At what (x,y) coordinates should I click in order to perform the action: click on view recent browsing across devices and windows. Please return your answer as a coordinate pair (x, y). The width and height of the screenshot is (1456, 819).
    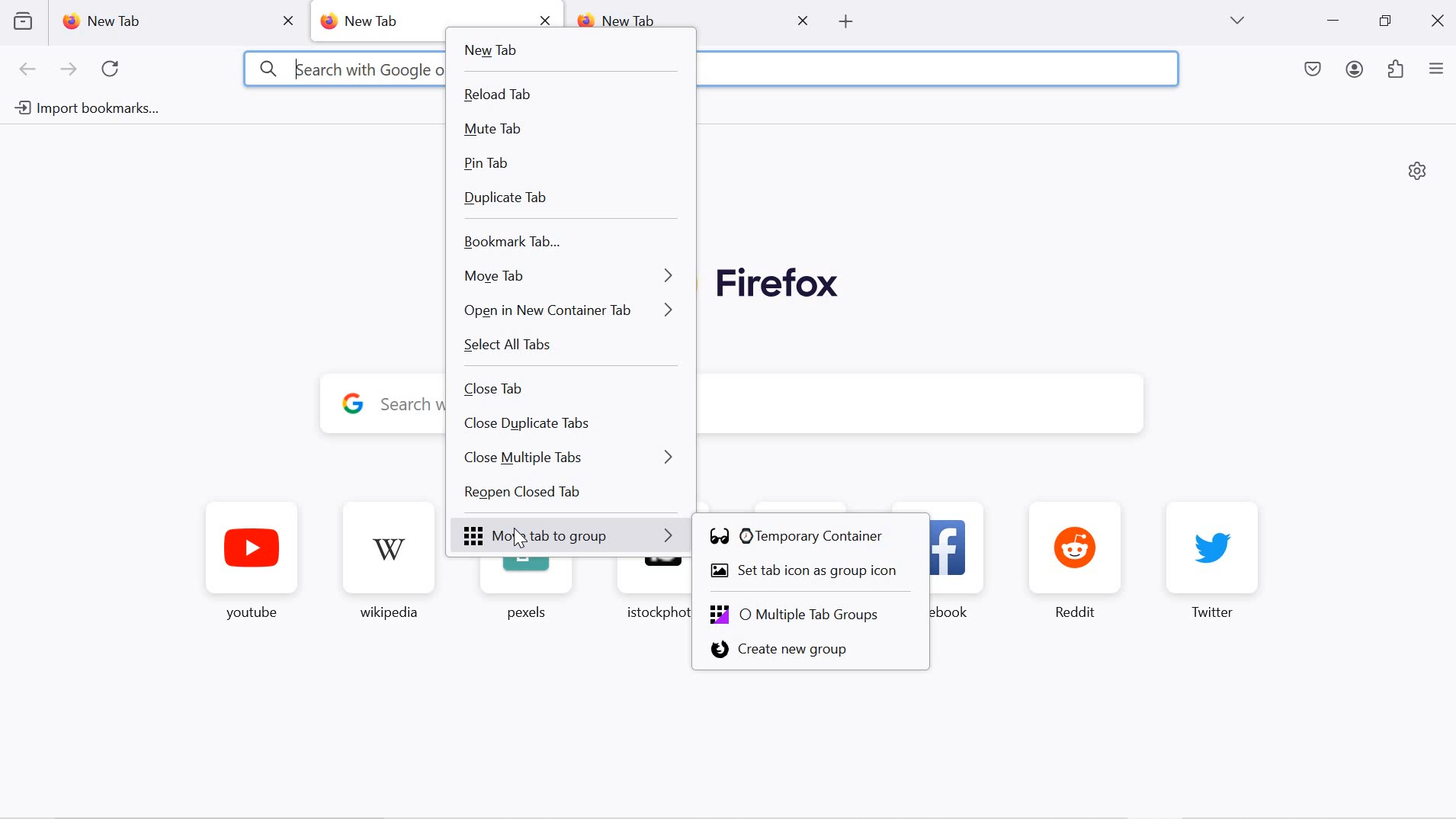
    Looking at the image, I should click on (22, 21).